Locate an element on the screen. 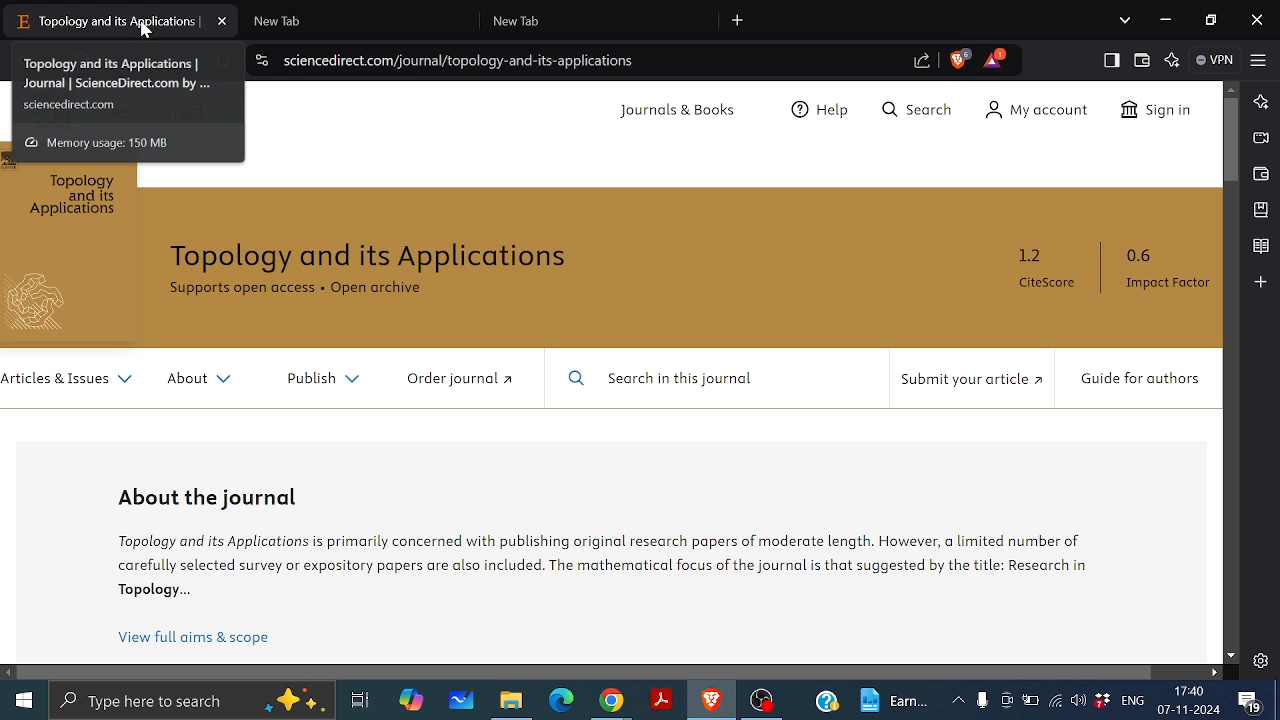 This screenshot has height=720, width=1280. Search in this journal is located at coordinates (666, 379).